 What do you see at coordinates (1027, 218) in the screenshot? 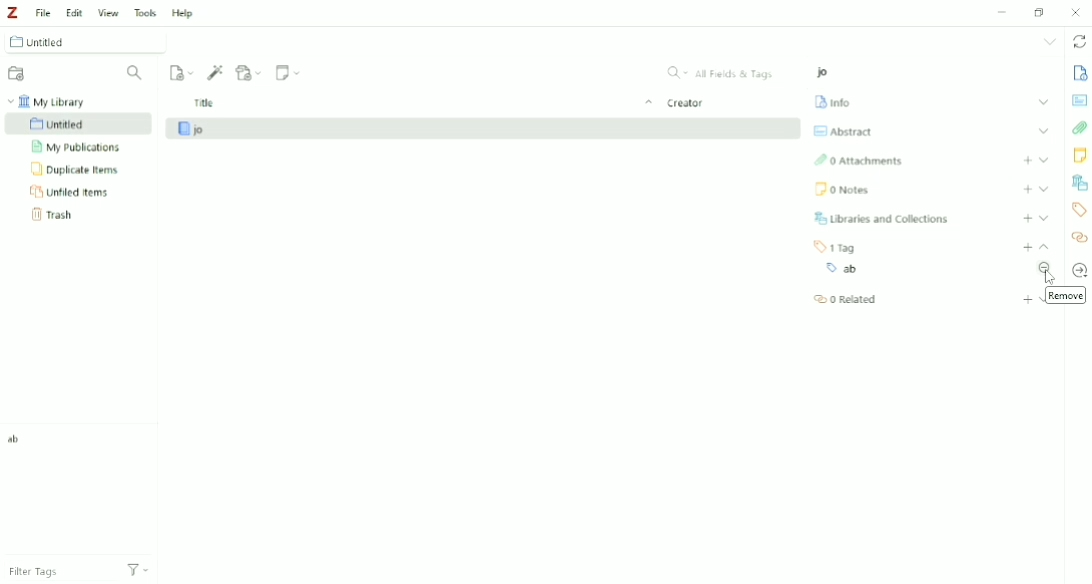
I see `Add` at bounding box center [1027, 218].